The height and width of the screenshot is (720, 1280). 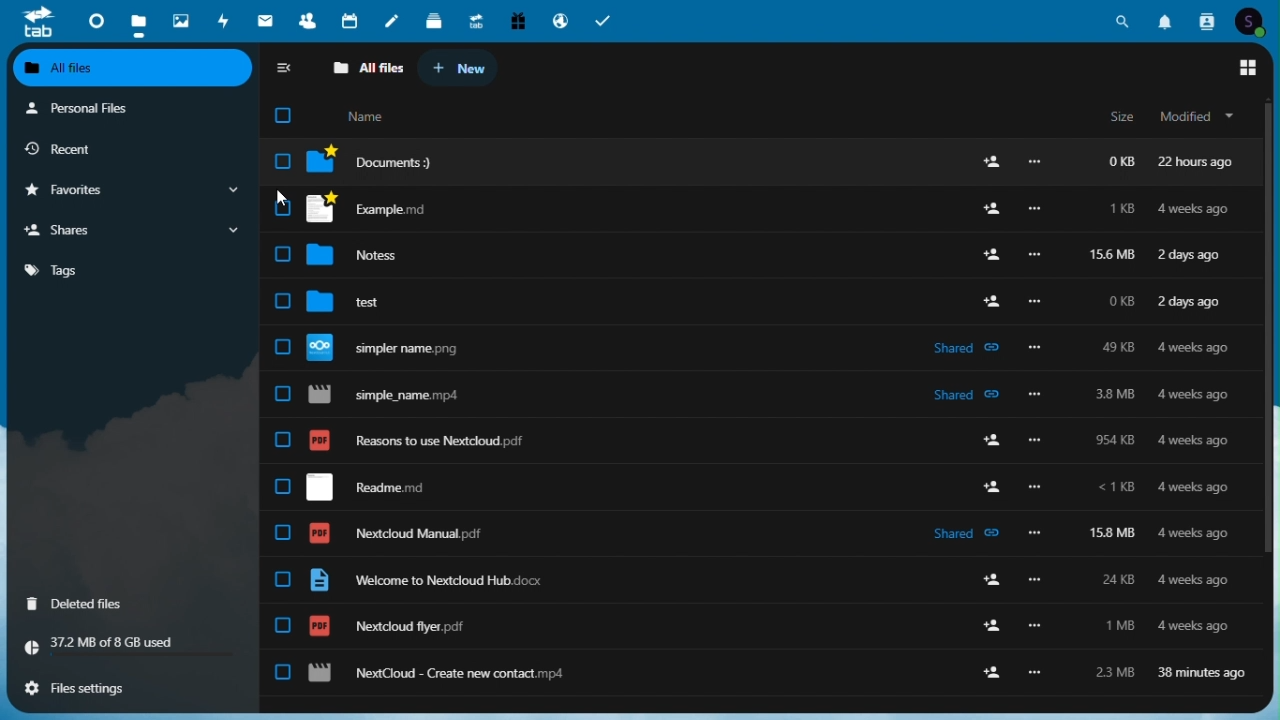 What do you see at coordinates (1036, 581) in the screenshot?
I see `more options` at bounding box center [1036, 581].